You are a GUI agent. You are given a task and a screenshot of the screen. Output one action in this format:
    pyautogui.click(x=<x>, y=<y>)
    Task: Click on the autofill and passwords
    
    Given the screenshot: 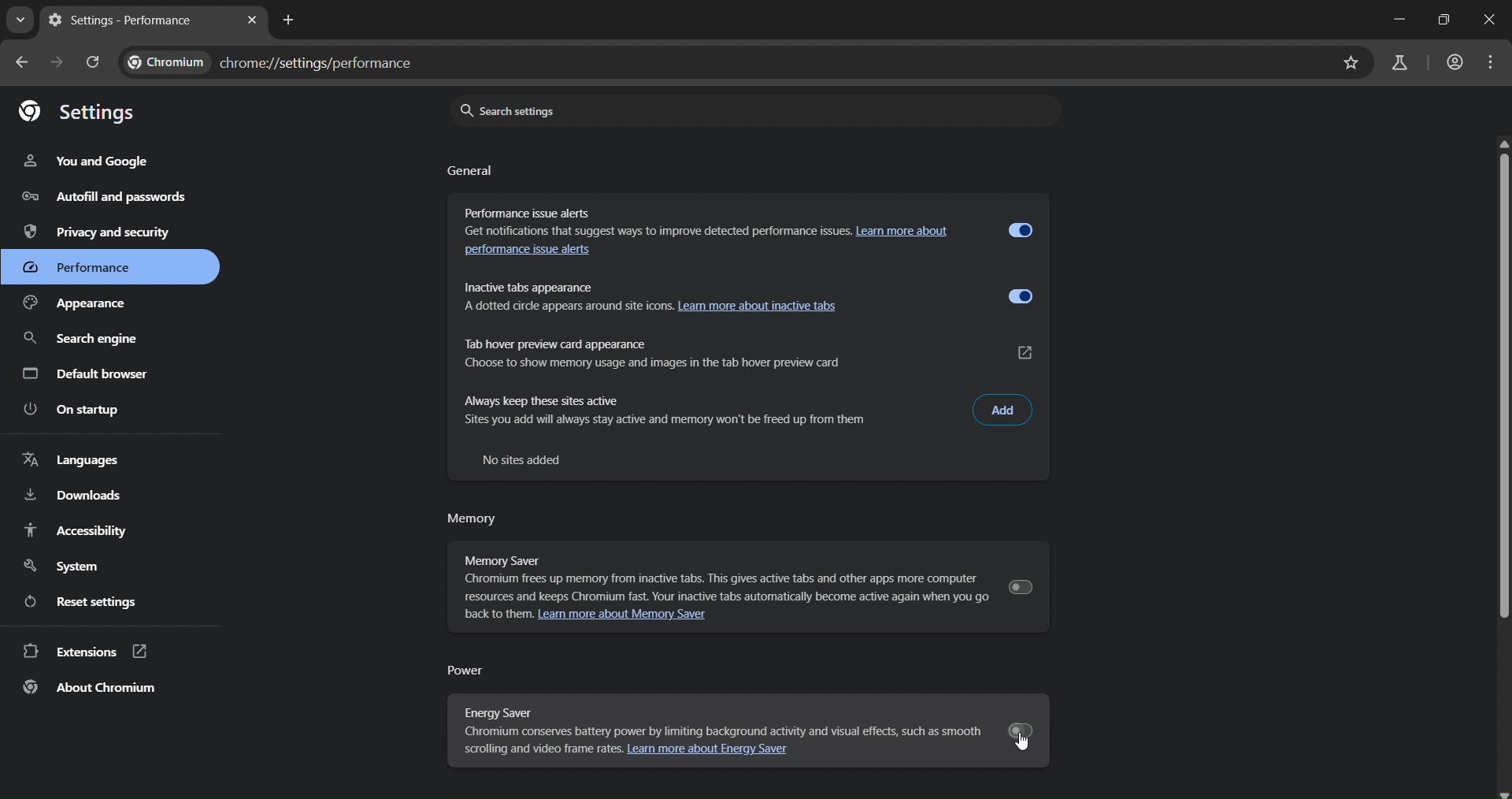 What is the action you would take?
    pyautogui.click(x=98, y=197)
    